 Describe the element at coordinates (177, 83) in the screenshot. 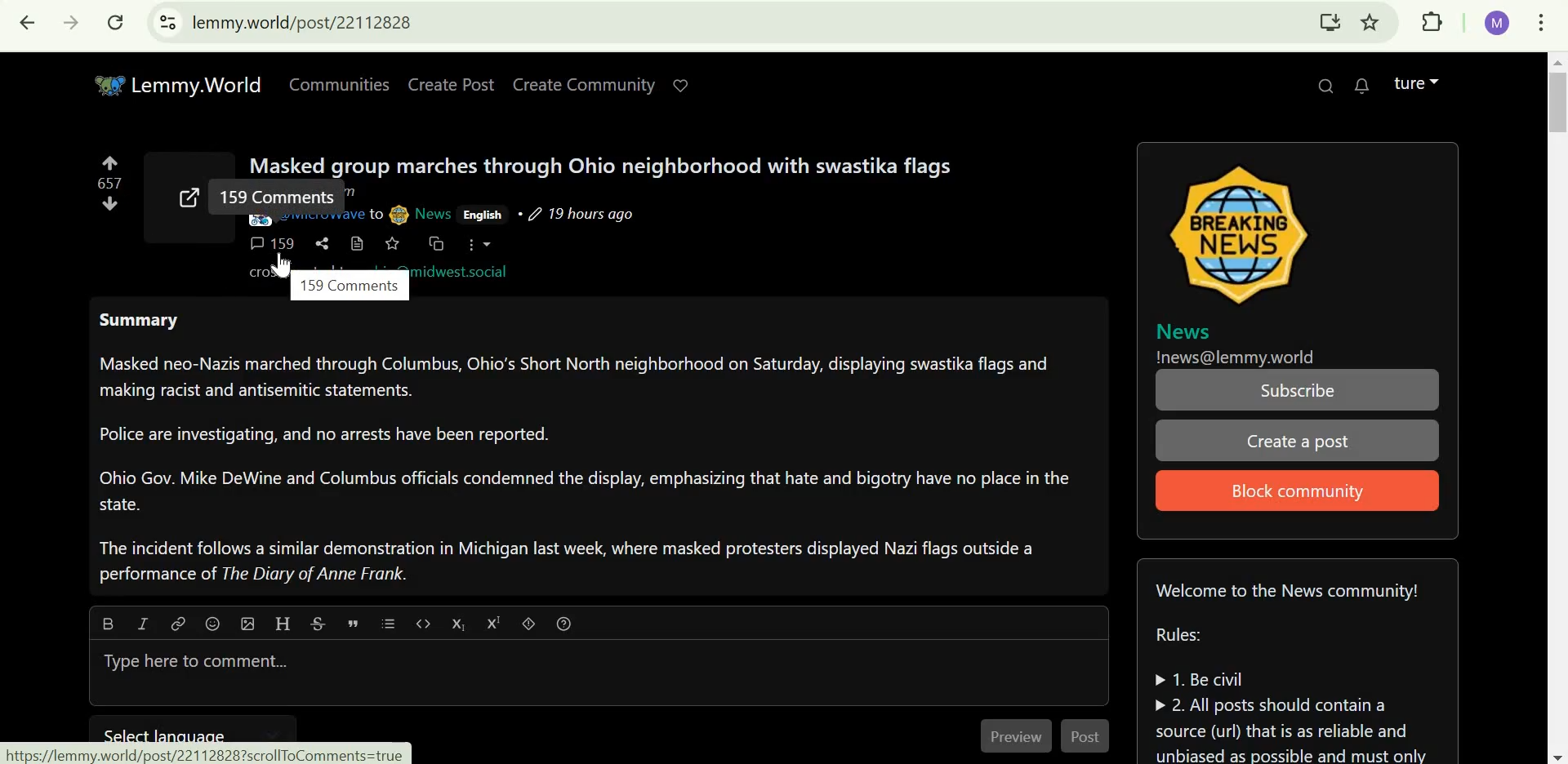

I see `Lemmy.World` at that location.